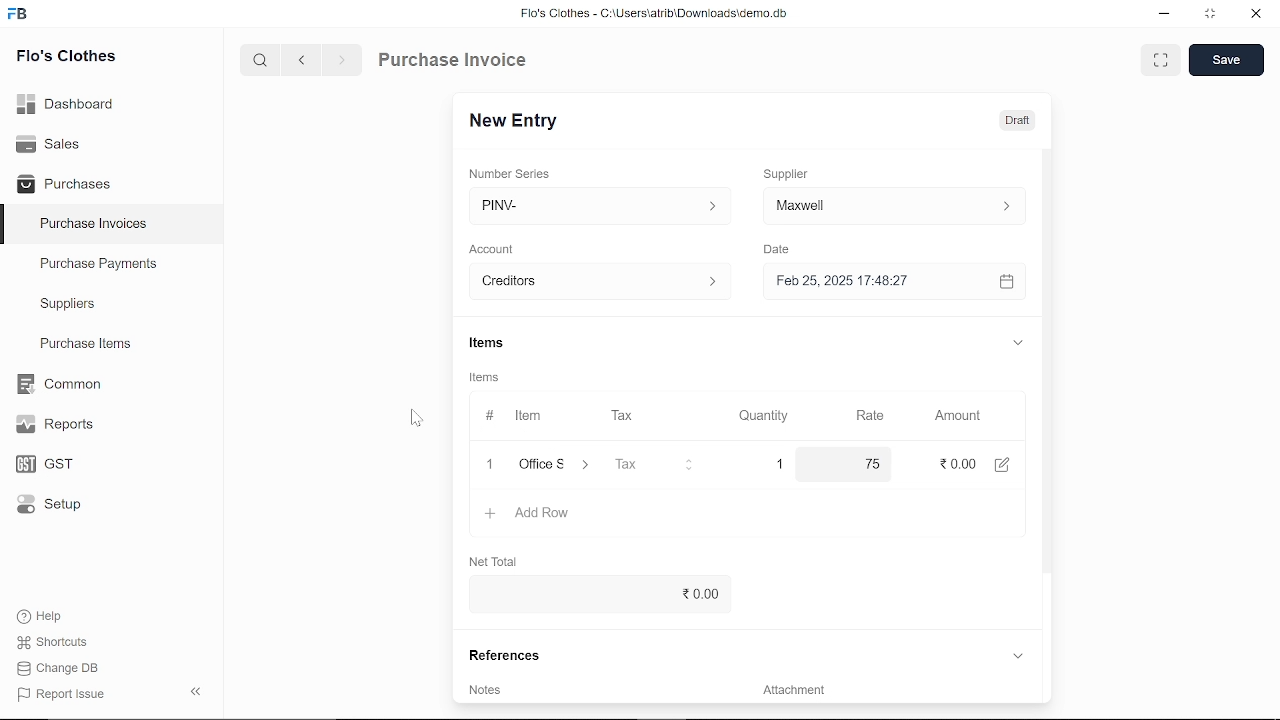 This screenshot has width=1280, height=720. Describe the element at coordinates (1009, 464) in the screenshot. I see `edit amount` at that location.